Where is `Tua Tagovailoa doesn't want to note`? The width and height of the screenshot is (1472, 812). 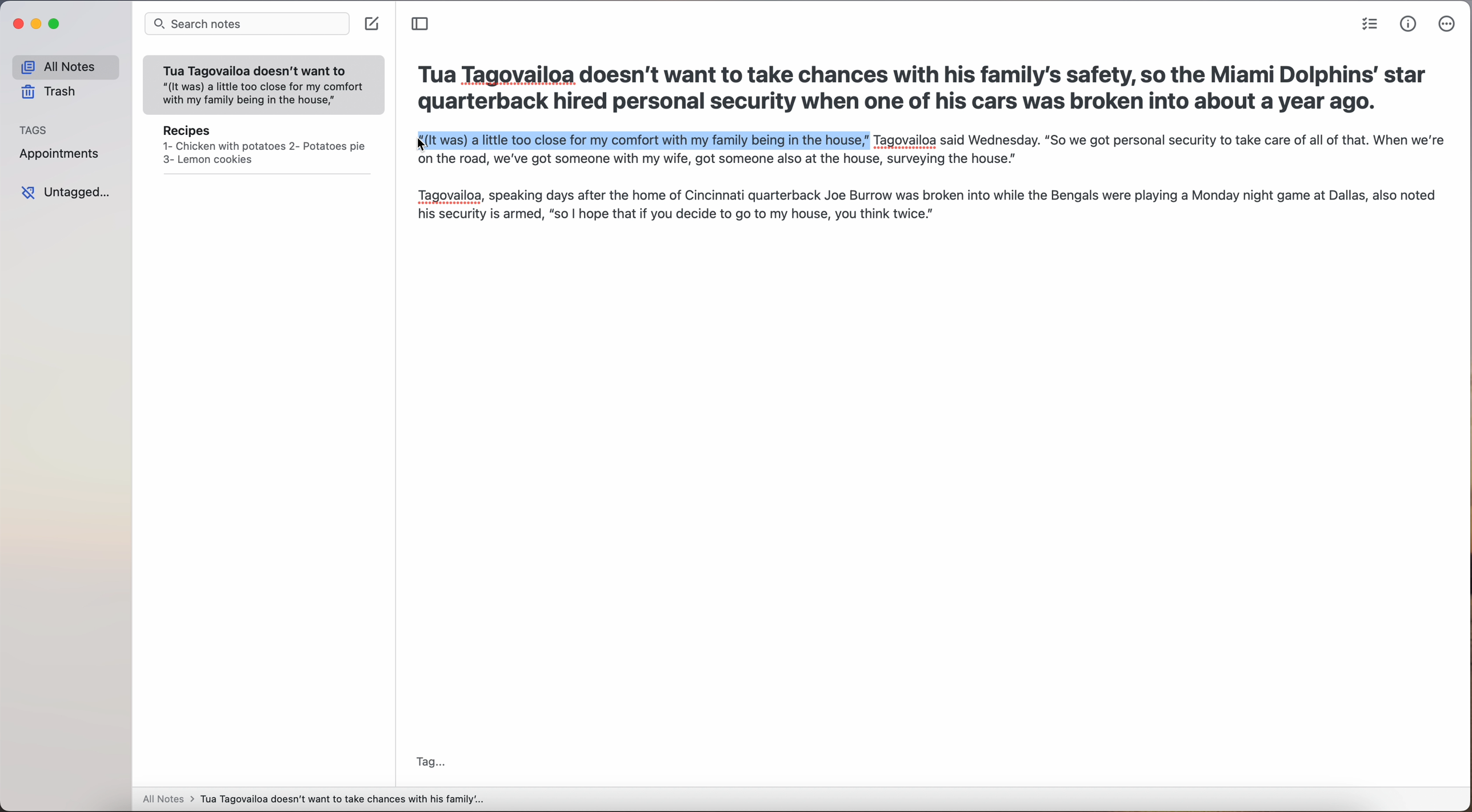
Tua Tagovailoa doesn't want to note is located at coordinates (264, 86).